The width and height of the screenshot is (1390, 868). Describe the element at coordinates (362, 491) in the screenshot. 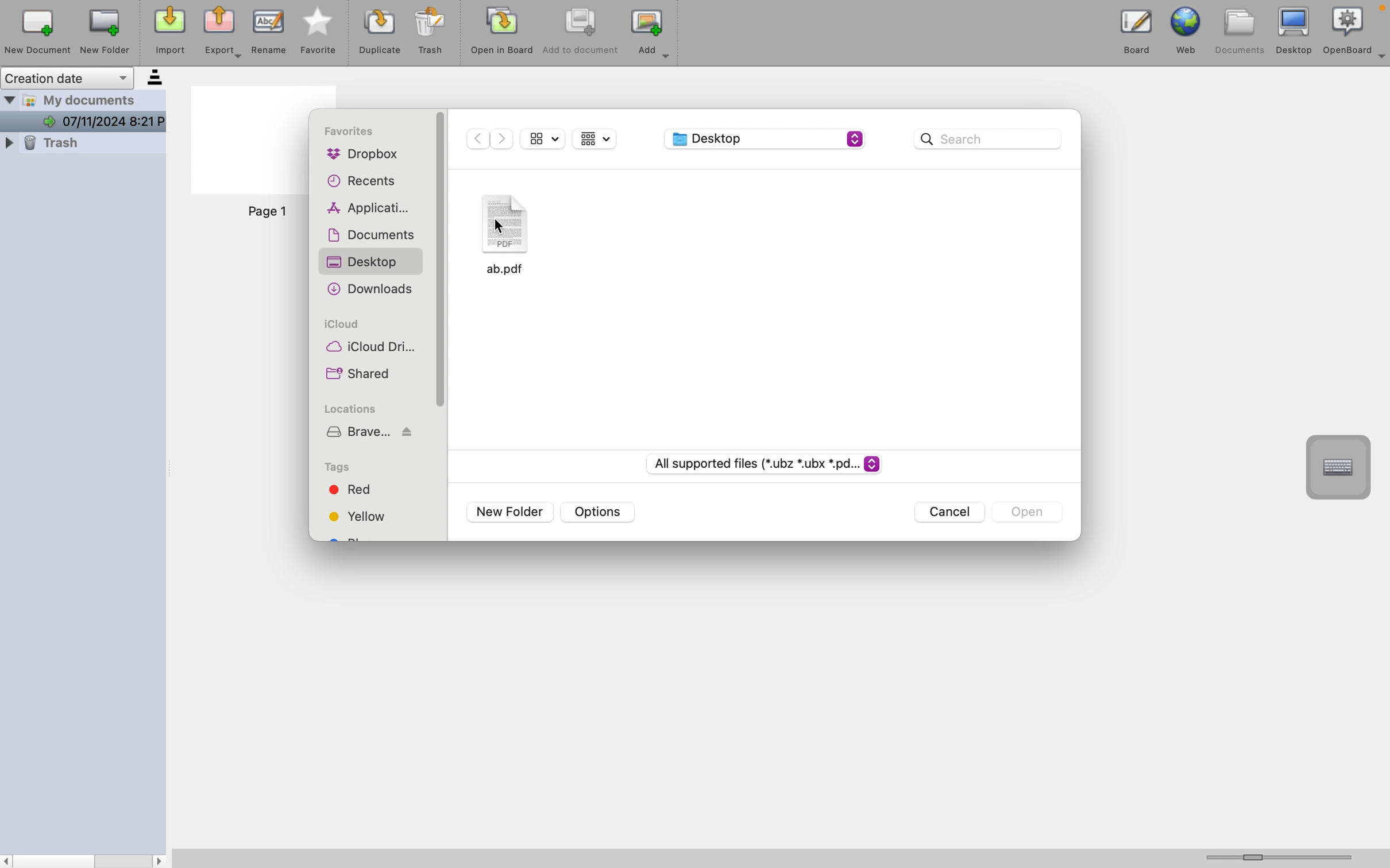

I see `red` at that location.